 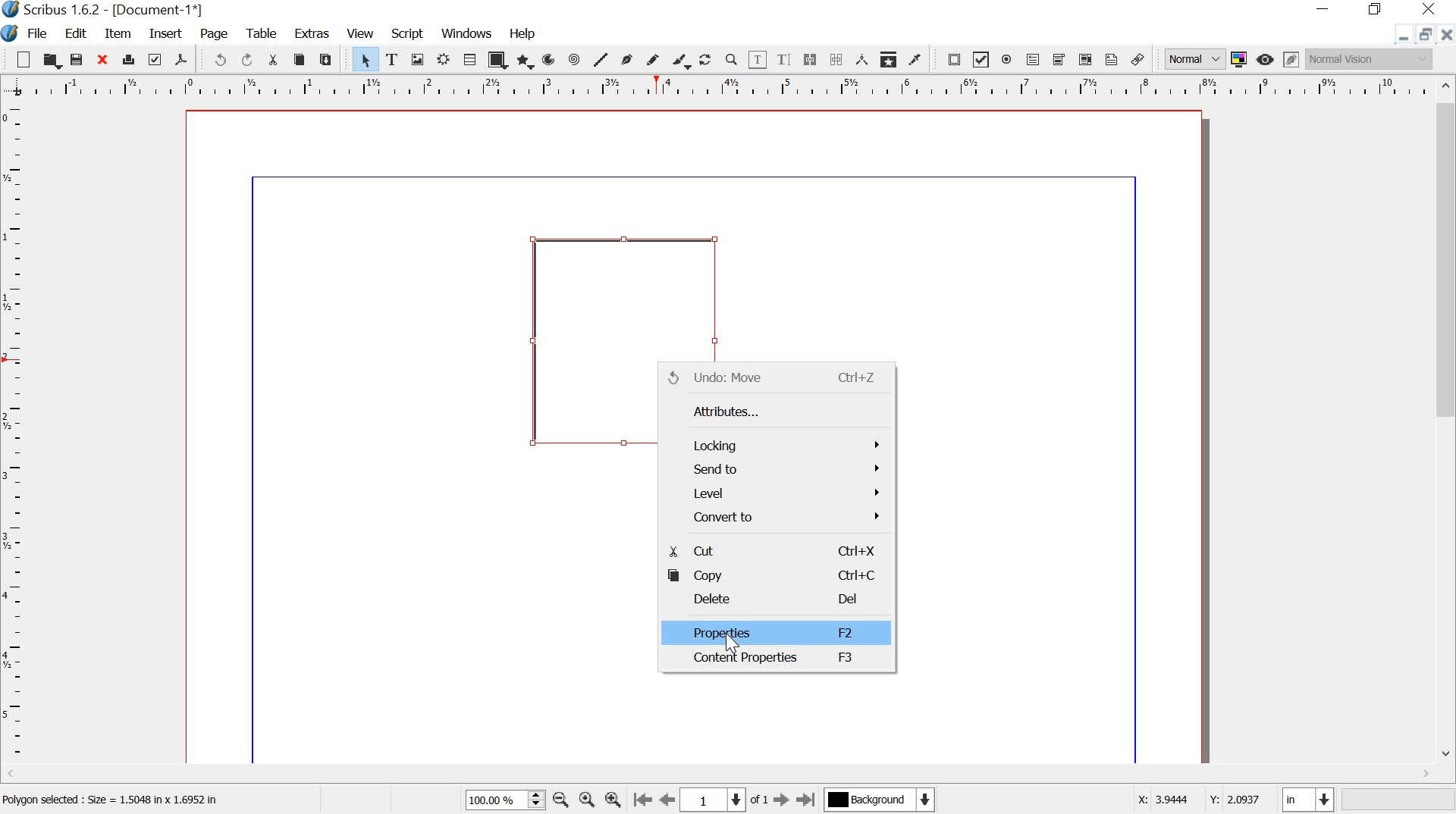 What do you see at coordinates (14, 435) in the screenshot?
I see `ruler` at bounding box center [14, 435].